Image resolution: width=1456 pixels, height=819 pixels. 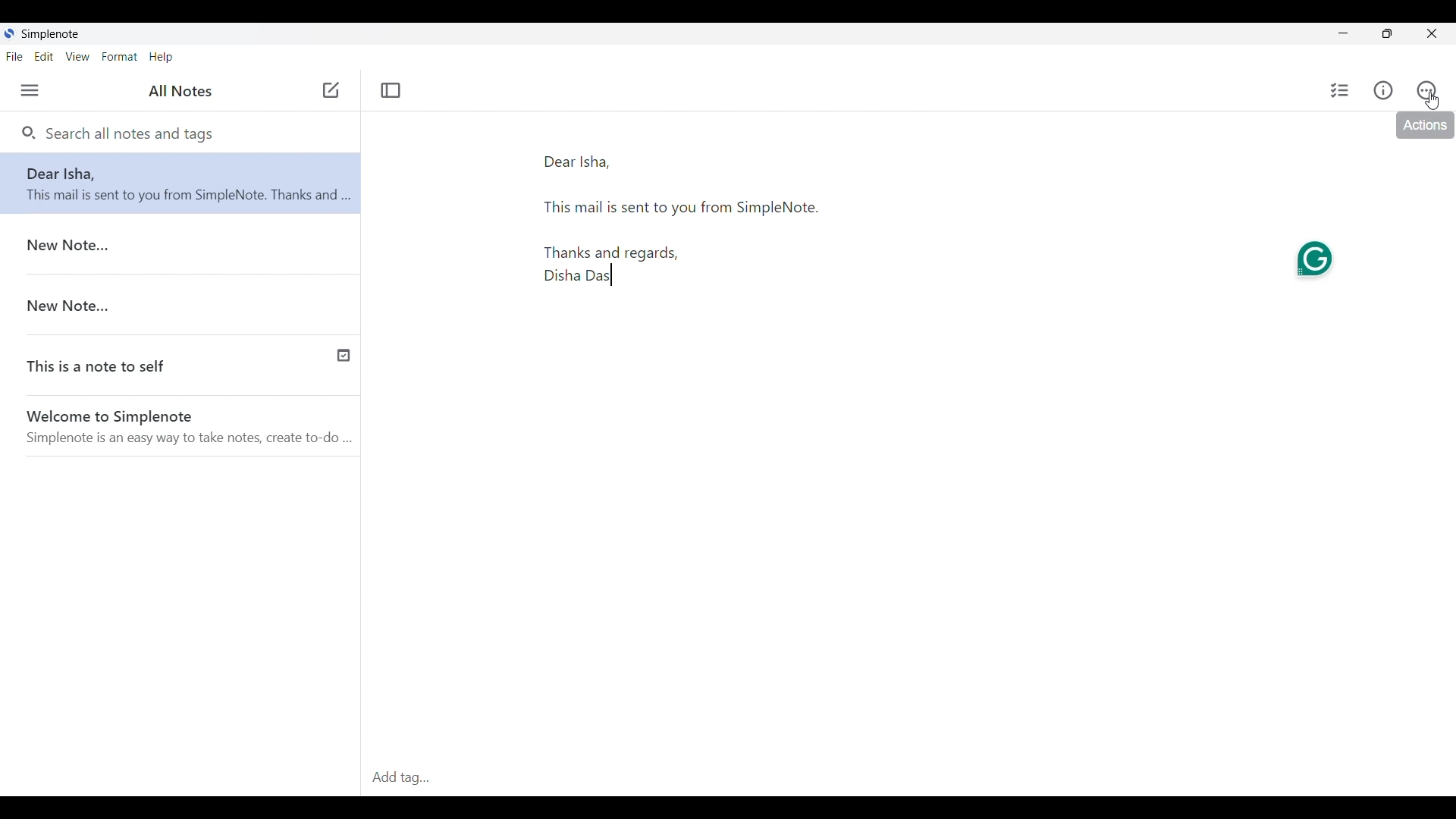 I want to click on Format, so click(x=120, y=57).